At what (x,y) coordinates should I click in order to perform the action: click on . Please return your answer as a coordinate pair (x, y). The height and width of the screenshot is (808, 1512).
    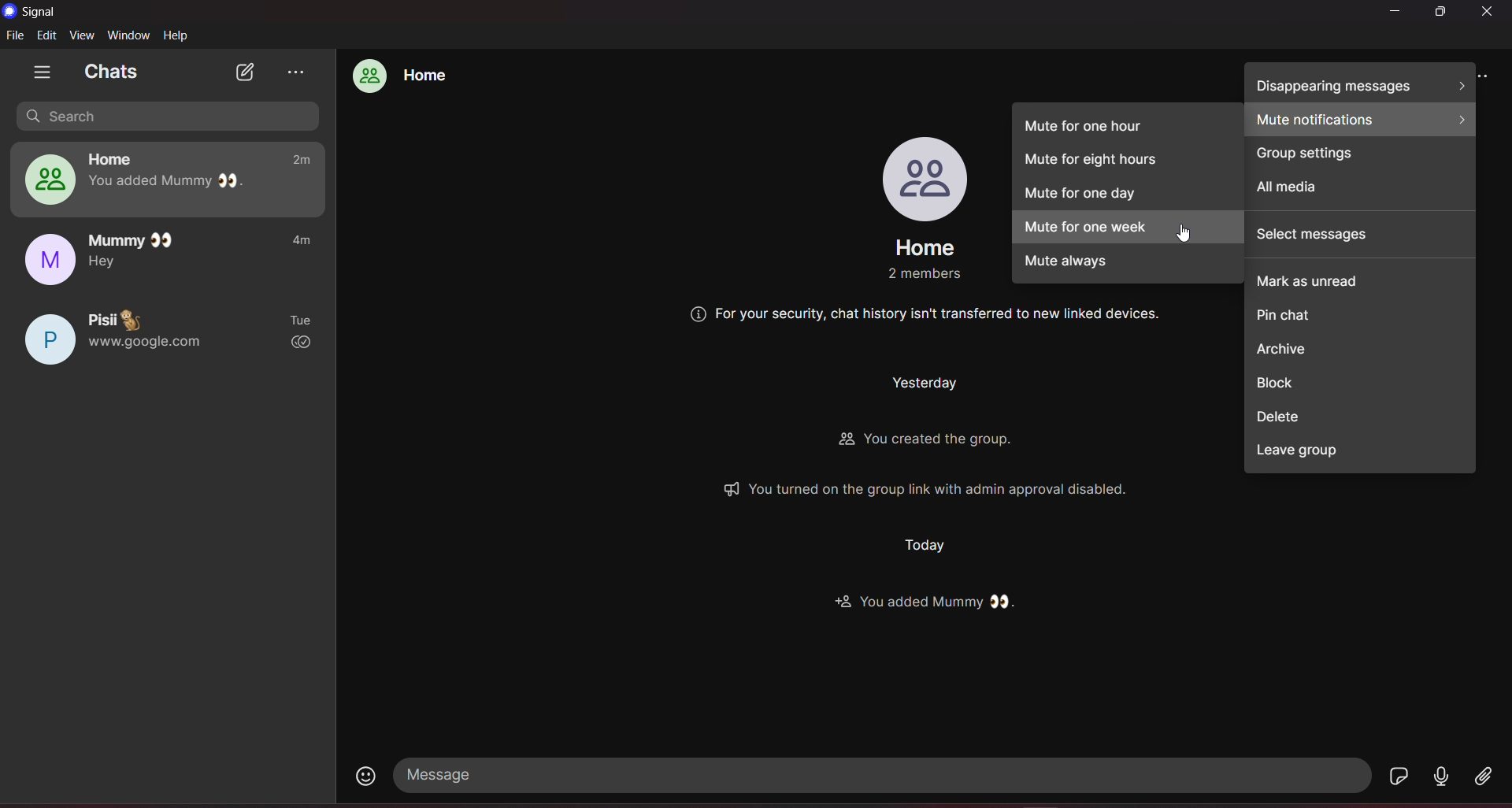
    Looking at the image, I should click on (925, 490).